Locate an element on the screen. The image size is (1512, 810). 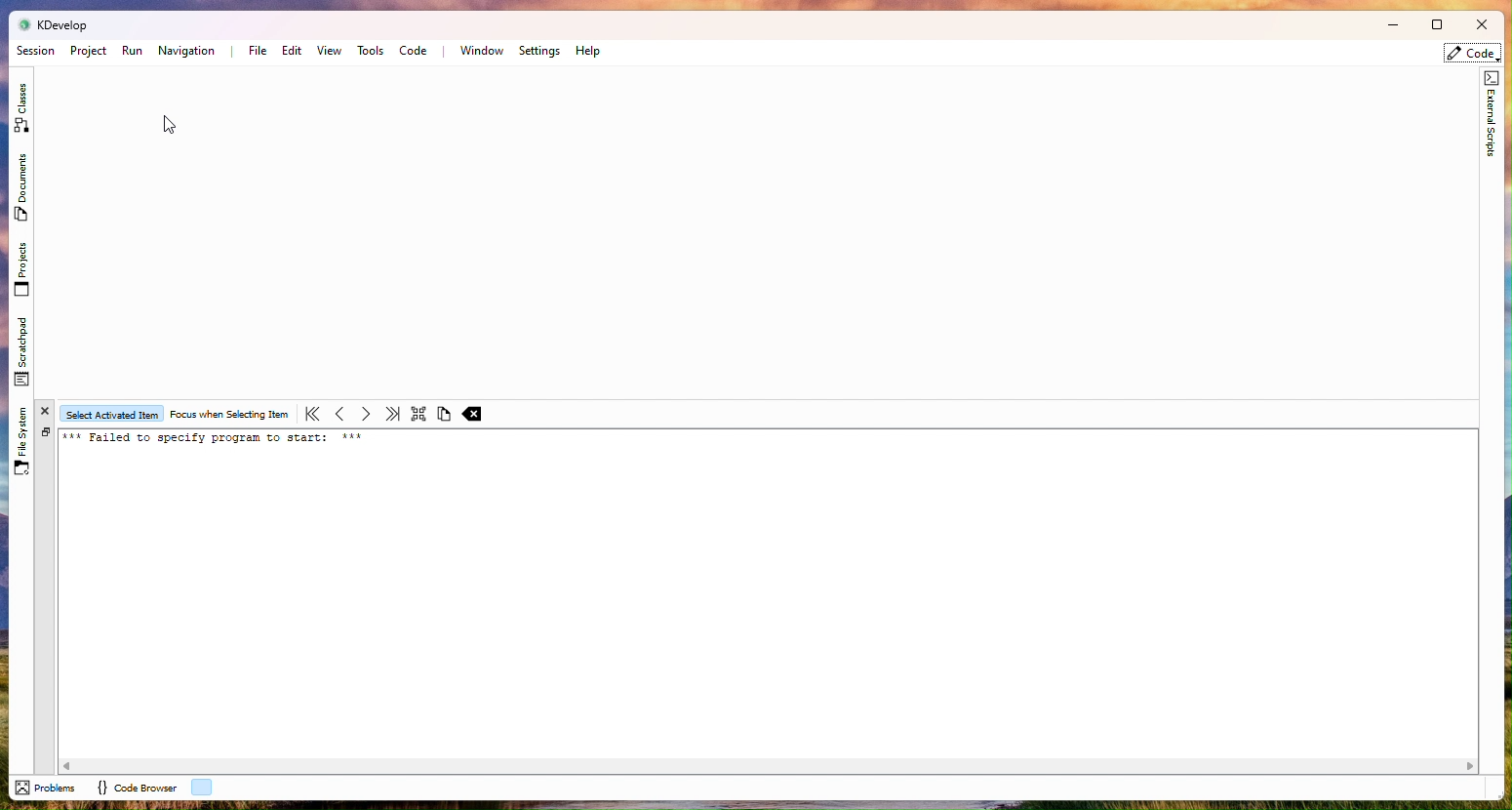
Documents is located at coordinates (20, 188).